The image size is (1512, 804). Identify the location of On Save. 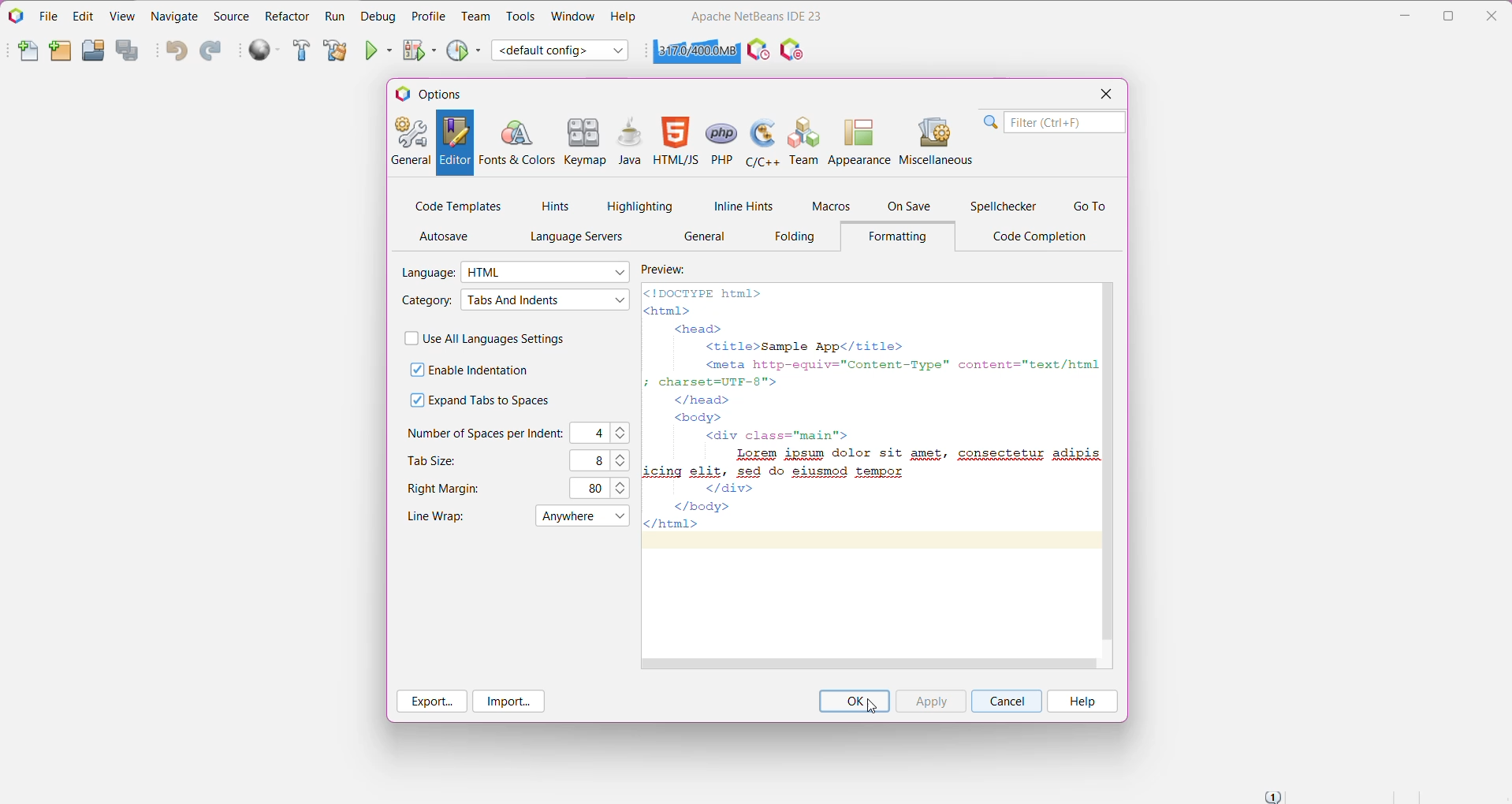
(911, 207).